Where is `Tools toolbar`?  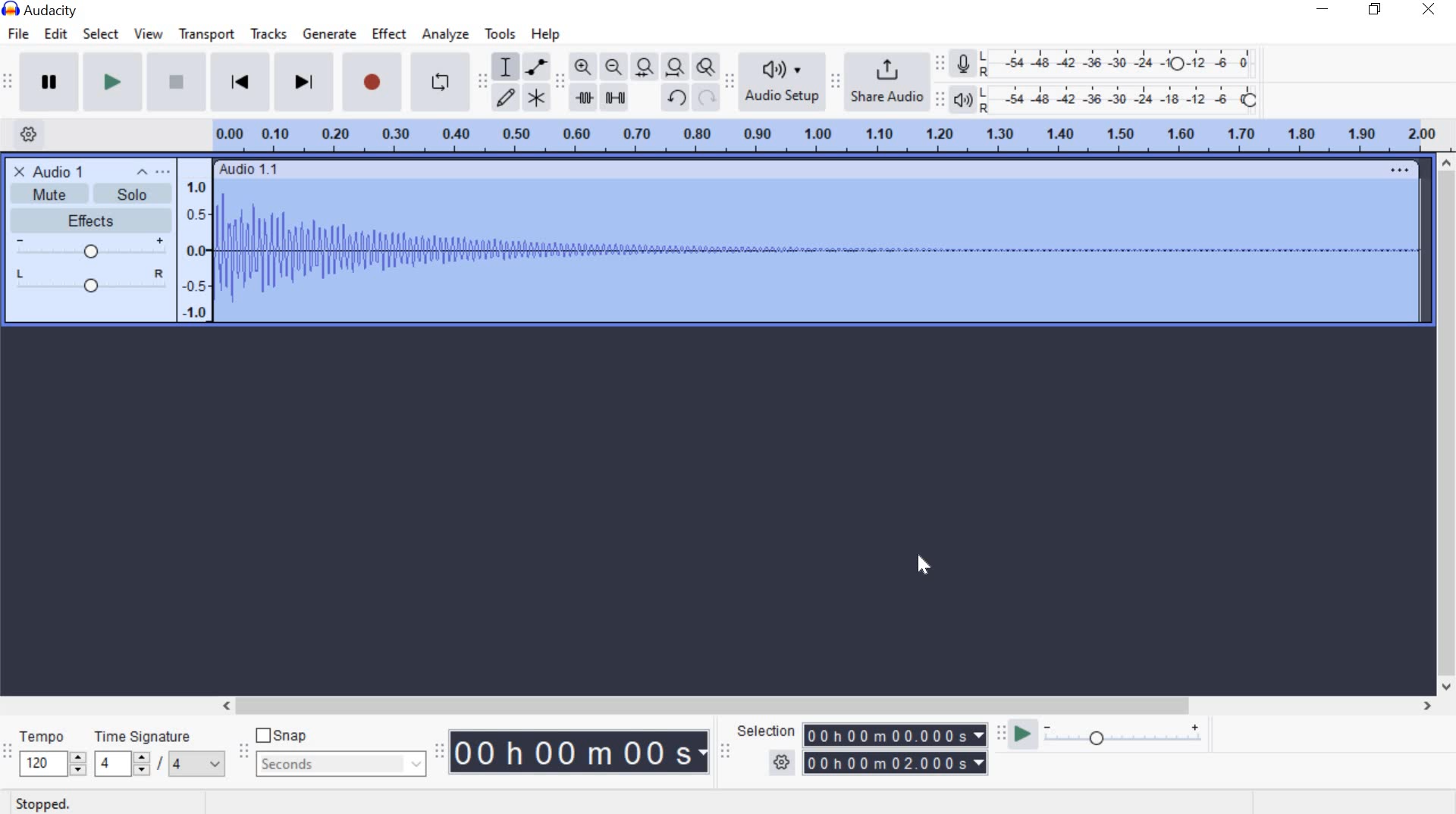 Tools toolbar is located at coordinates (482, 80).